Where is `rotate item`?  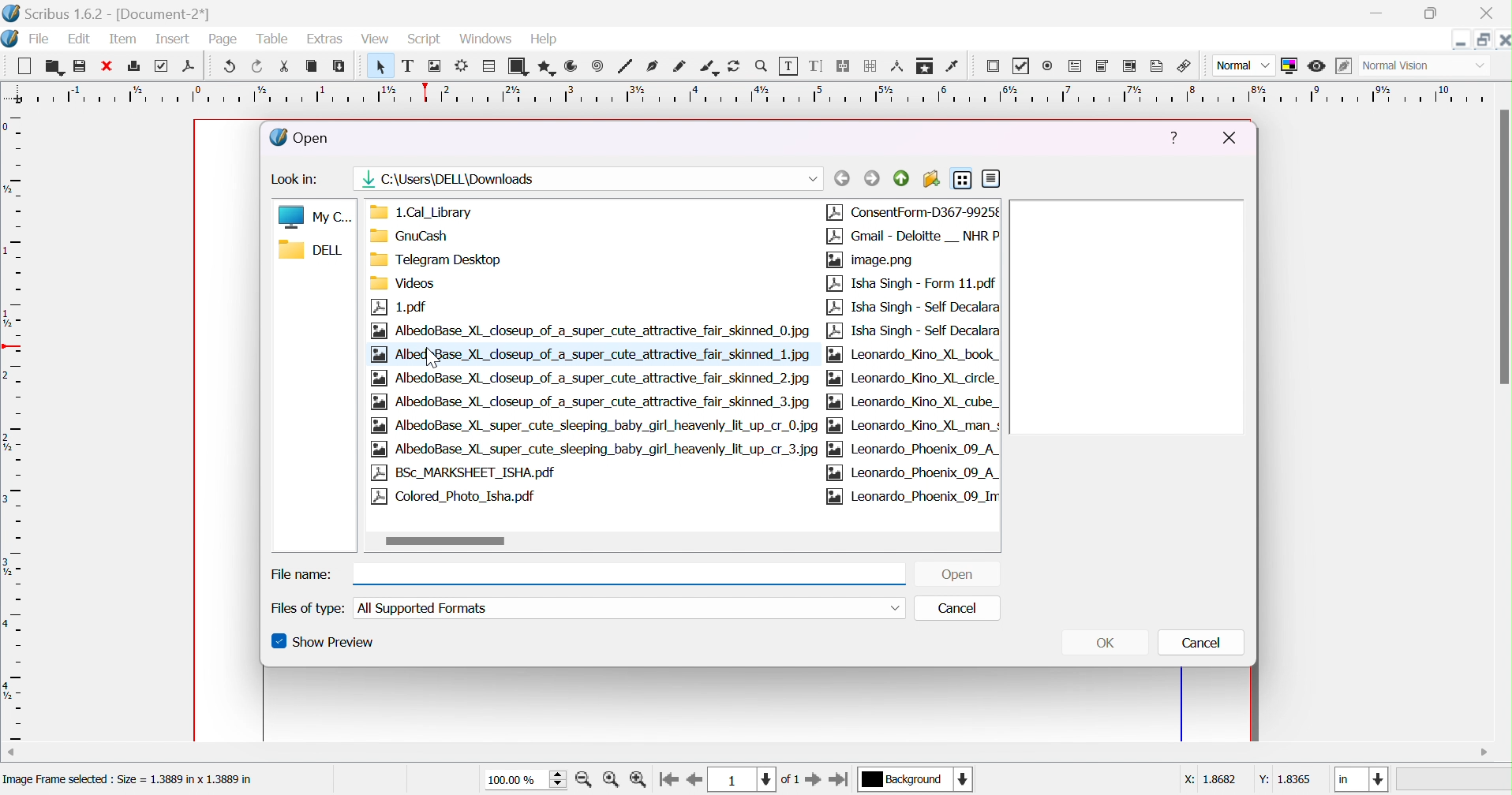 rotate item is located at coordinates (735, 65).